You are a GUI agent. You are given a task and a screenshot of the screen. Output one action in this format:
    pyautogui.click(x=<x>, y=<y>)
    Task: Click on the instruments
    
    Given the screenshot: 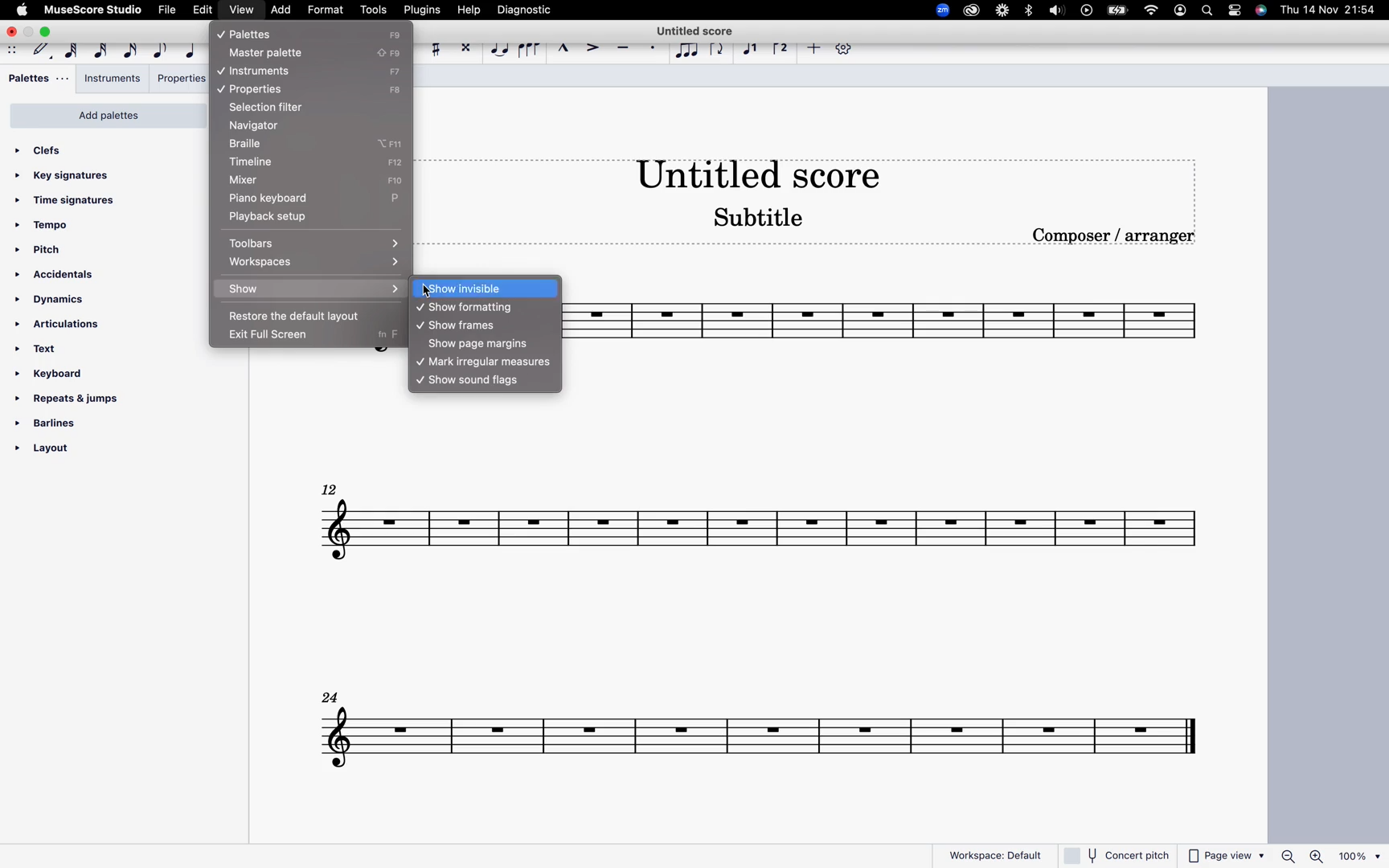 What is the action you would take?
    pyautogui.click(x=111, y=80)
    